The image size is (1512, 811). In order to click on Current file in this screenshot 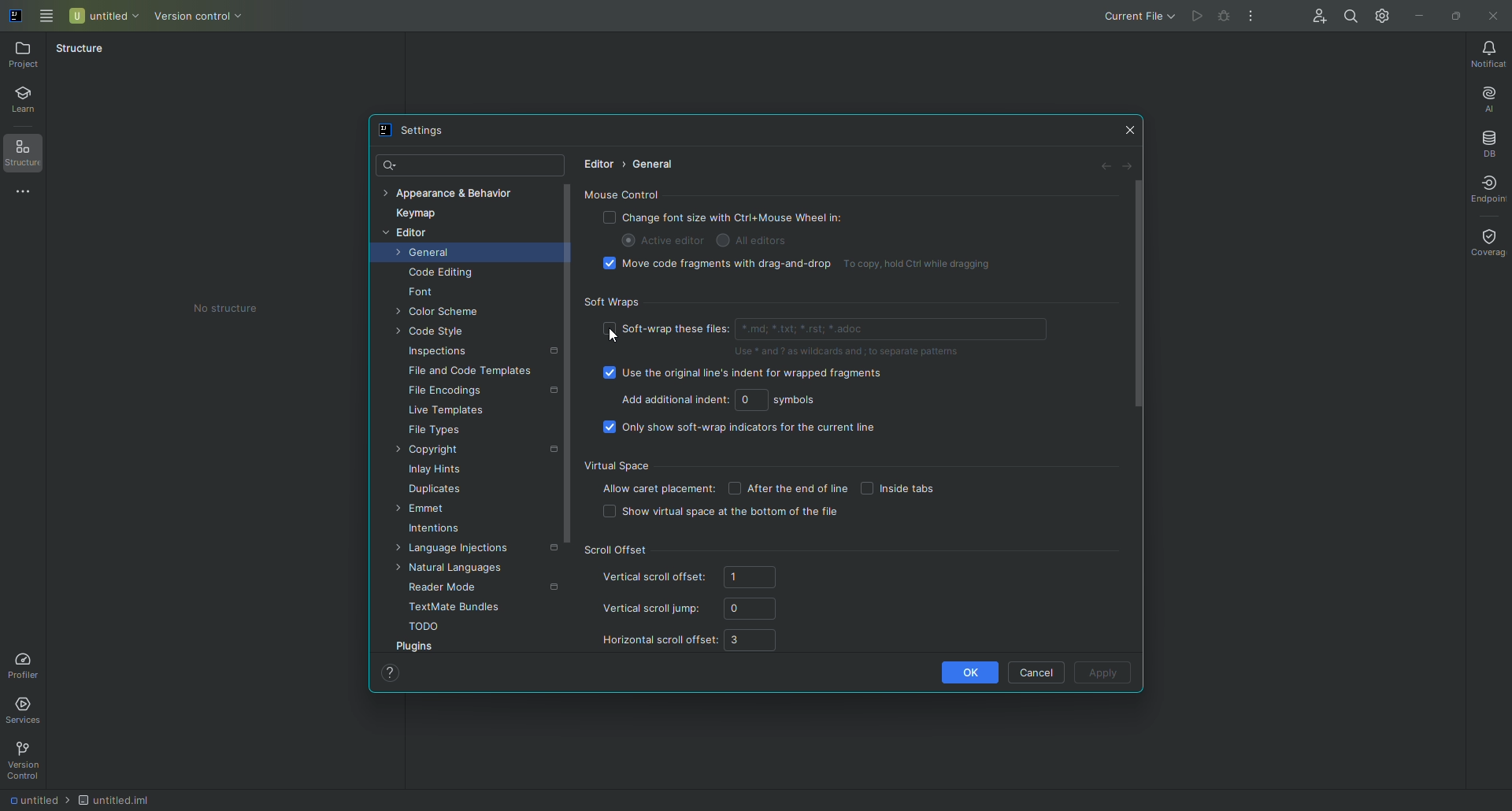, I will do `click(1135, 15)`.